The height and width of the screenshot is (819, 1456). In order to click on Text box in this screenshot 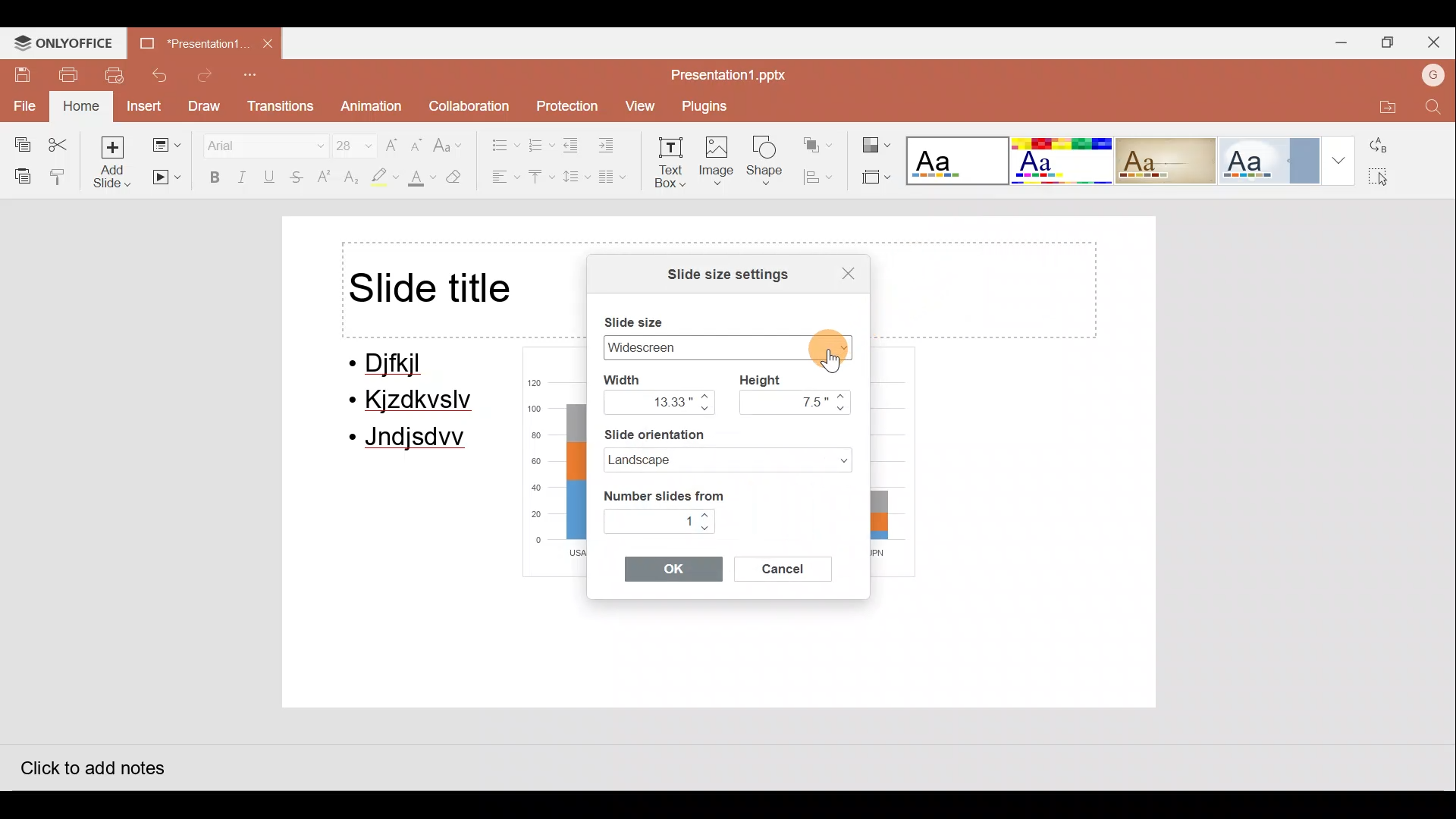, I will do `click(672, 165)`.